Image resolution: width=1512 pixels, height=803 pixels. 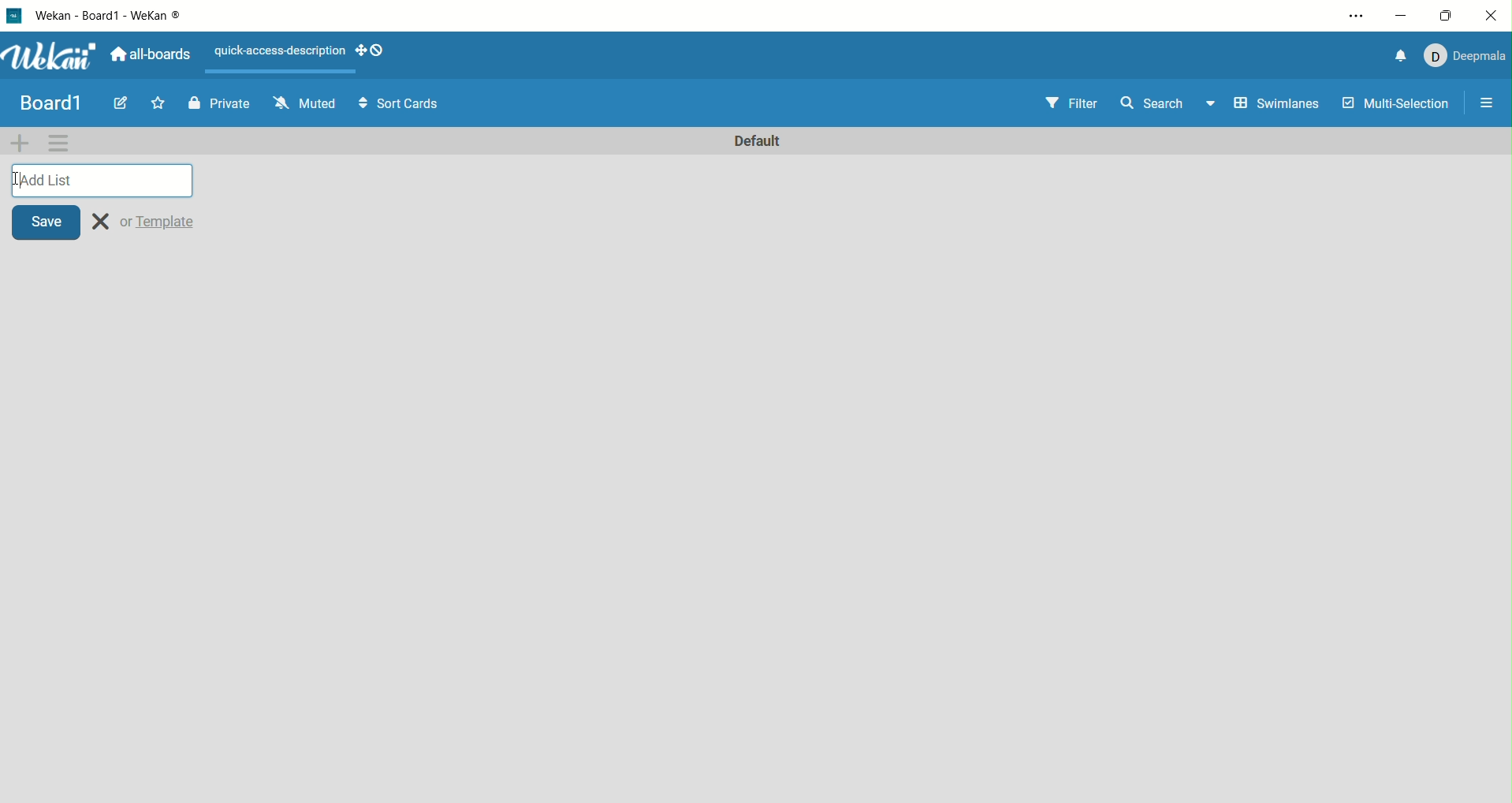 I want to click on minimize, so click(x=1403, y=17).